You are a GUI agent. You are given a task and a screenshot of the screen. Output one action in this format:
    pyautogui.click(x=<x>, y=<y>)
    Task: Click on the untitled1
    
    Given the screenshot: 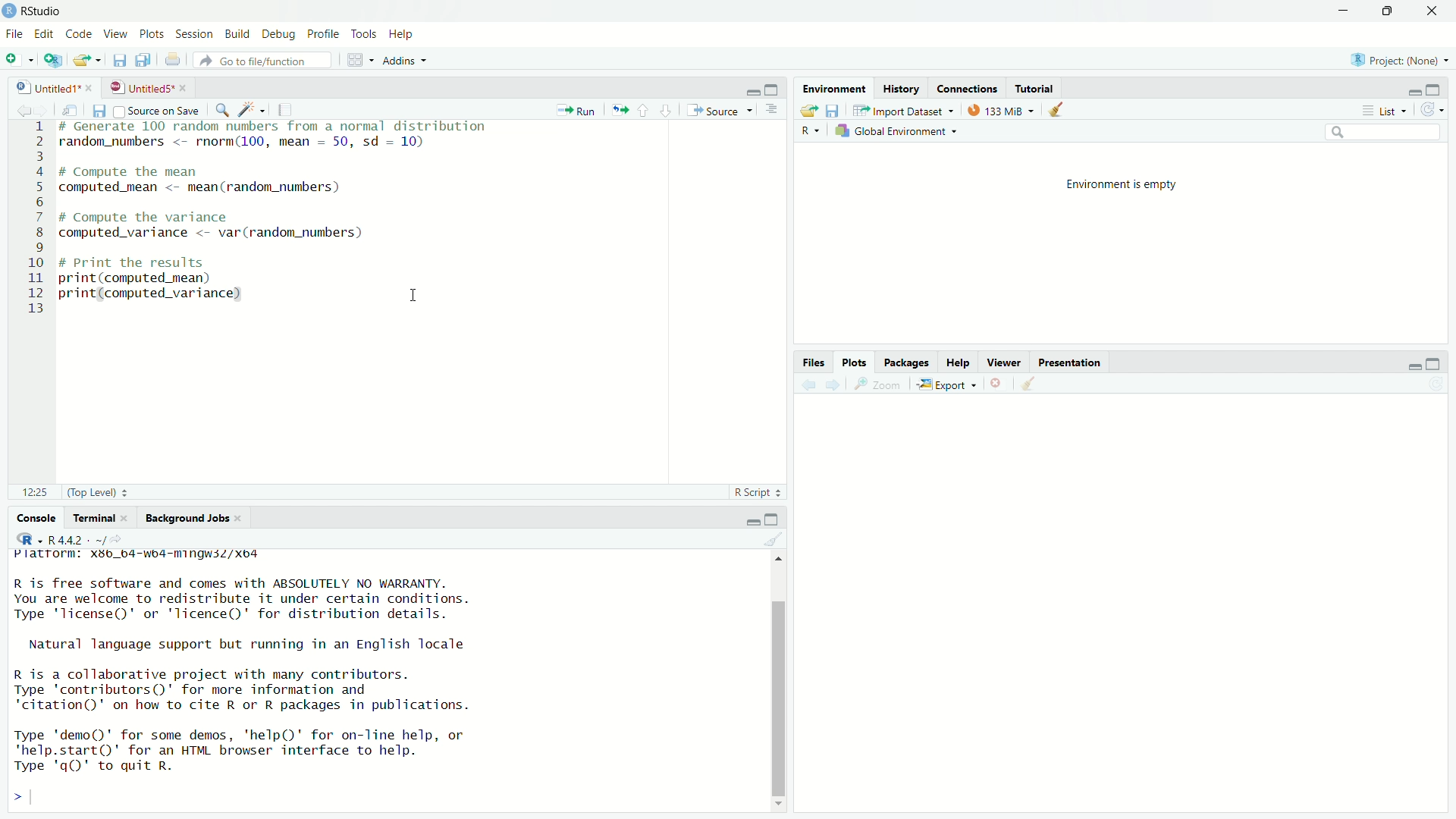 What is the action you would take?
    pyautogui.click(x=39, y=86)
    